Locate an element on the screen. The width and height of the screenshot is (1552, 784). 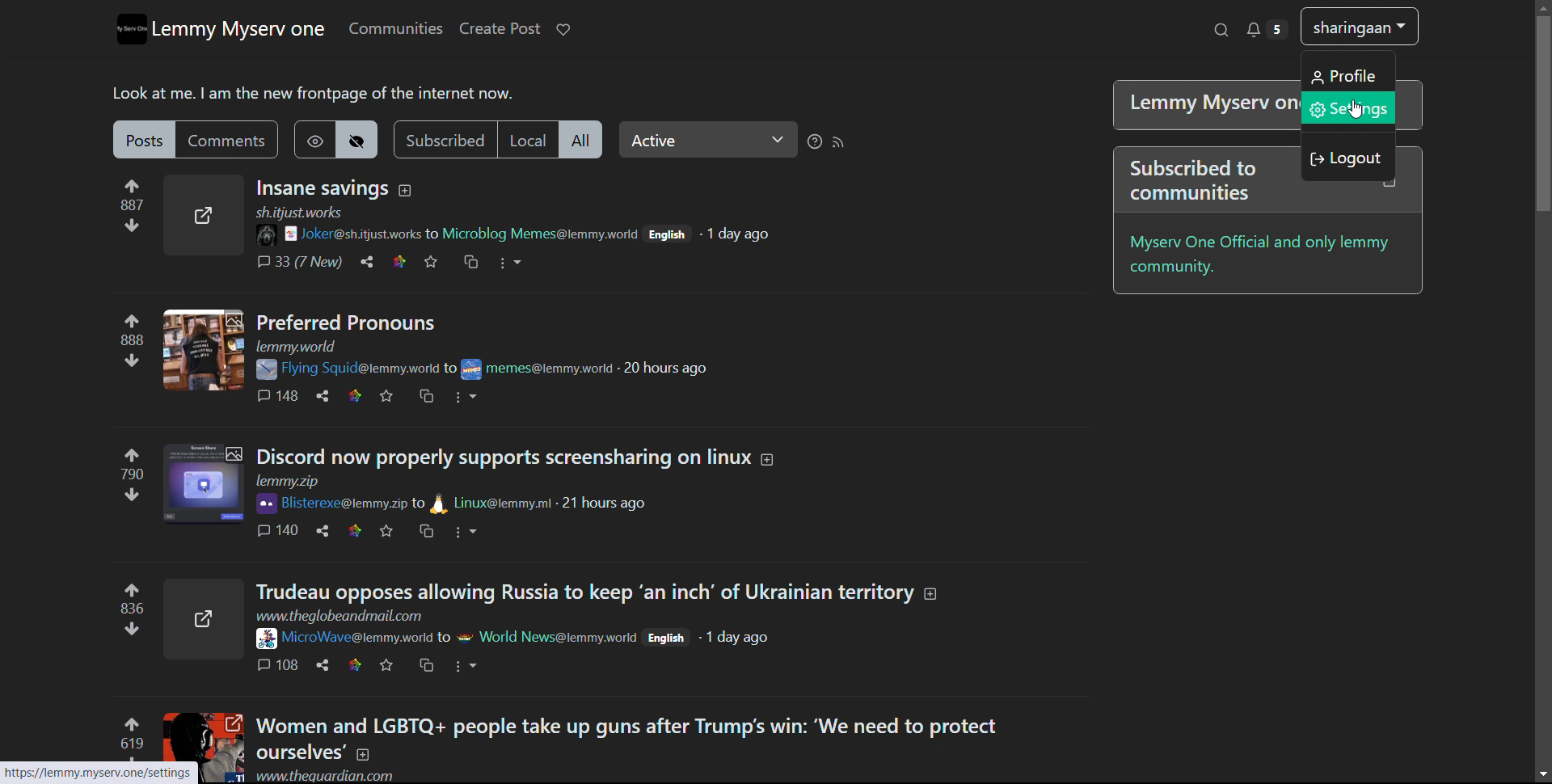
options is located at coordinates (466, 398).